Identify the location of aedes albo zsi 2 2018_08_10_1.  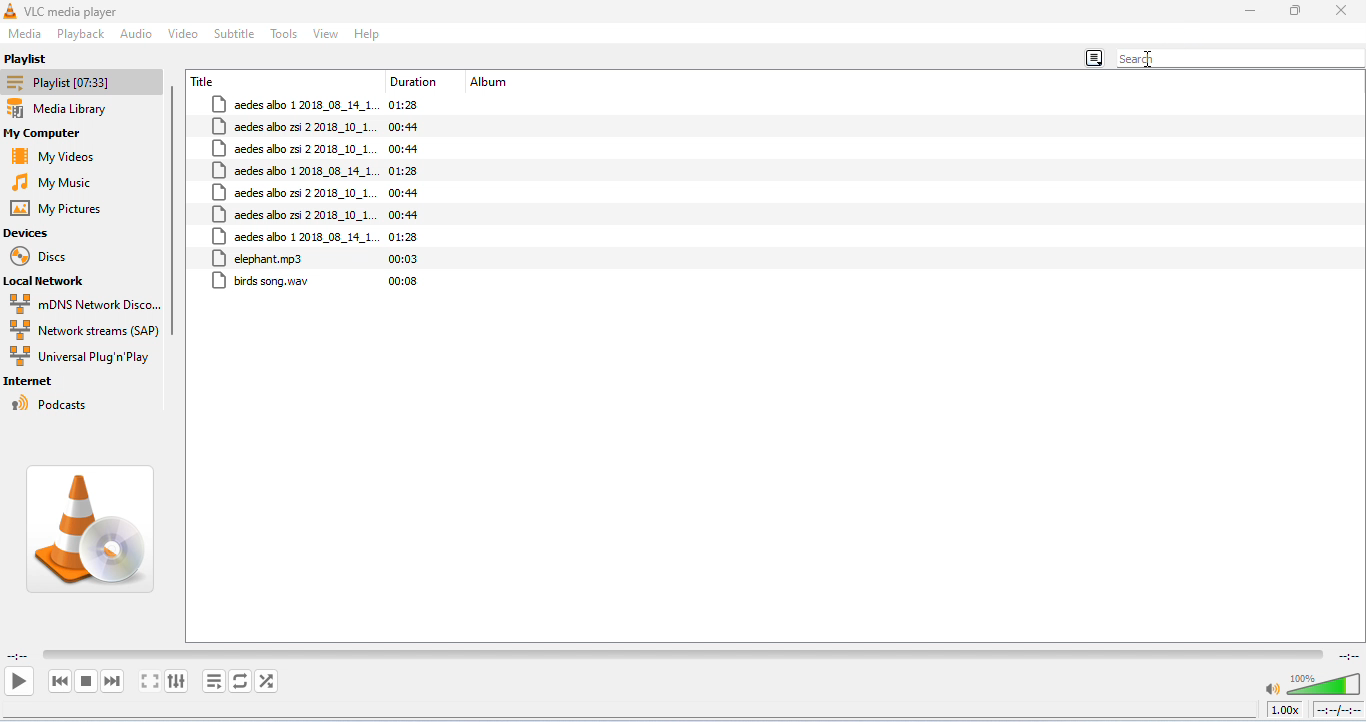
(293, 149).